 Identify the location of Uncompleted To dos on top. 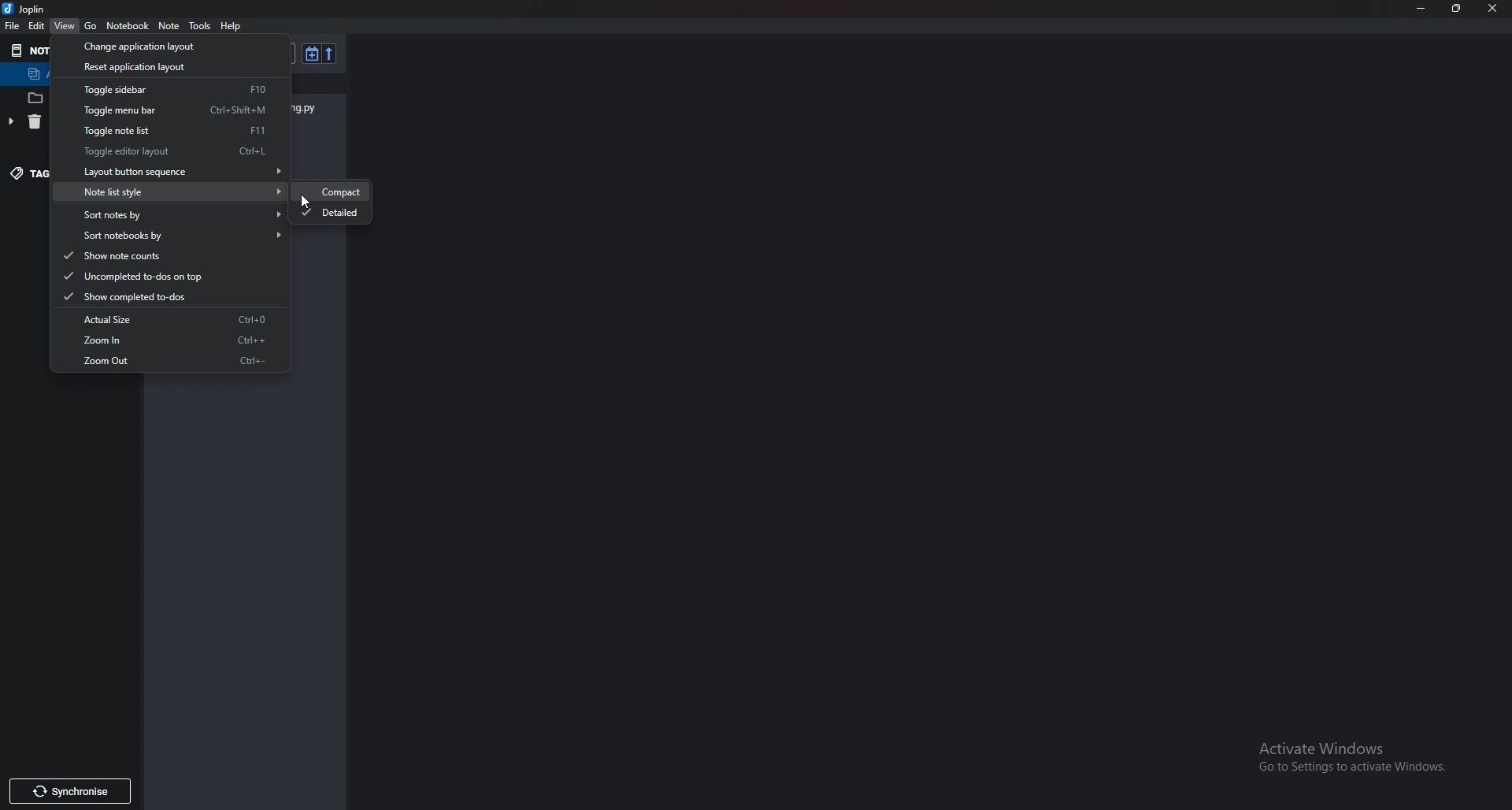
(165, 276).